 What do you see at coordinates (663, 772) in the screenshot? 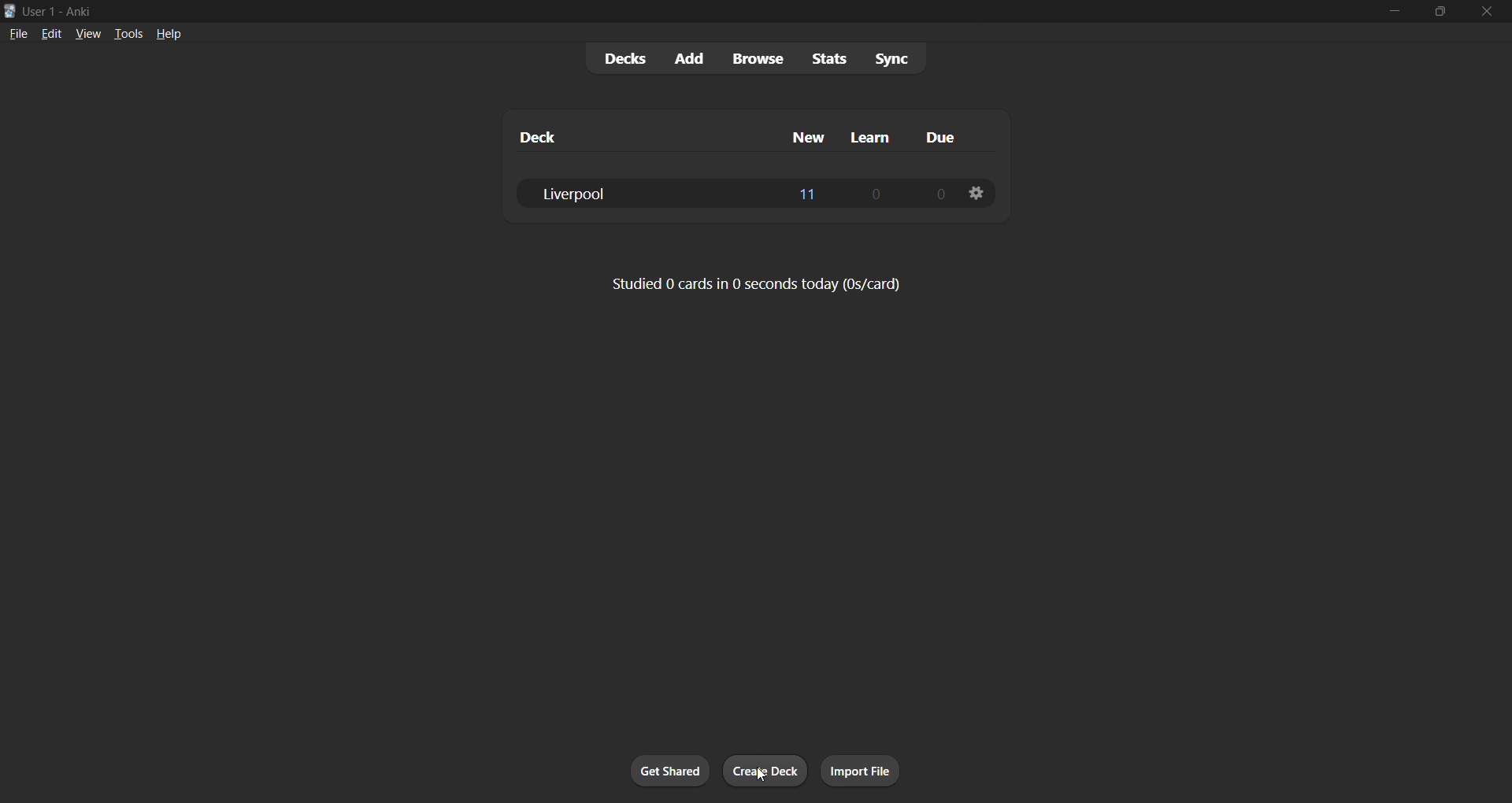
I see `get shared` at bounding box center [663, 772].